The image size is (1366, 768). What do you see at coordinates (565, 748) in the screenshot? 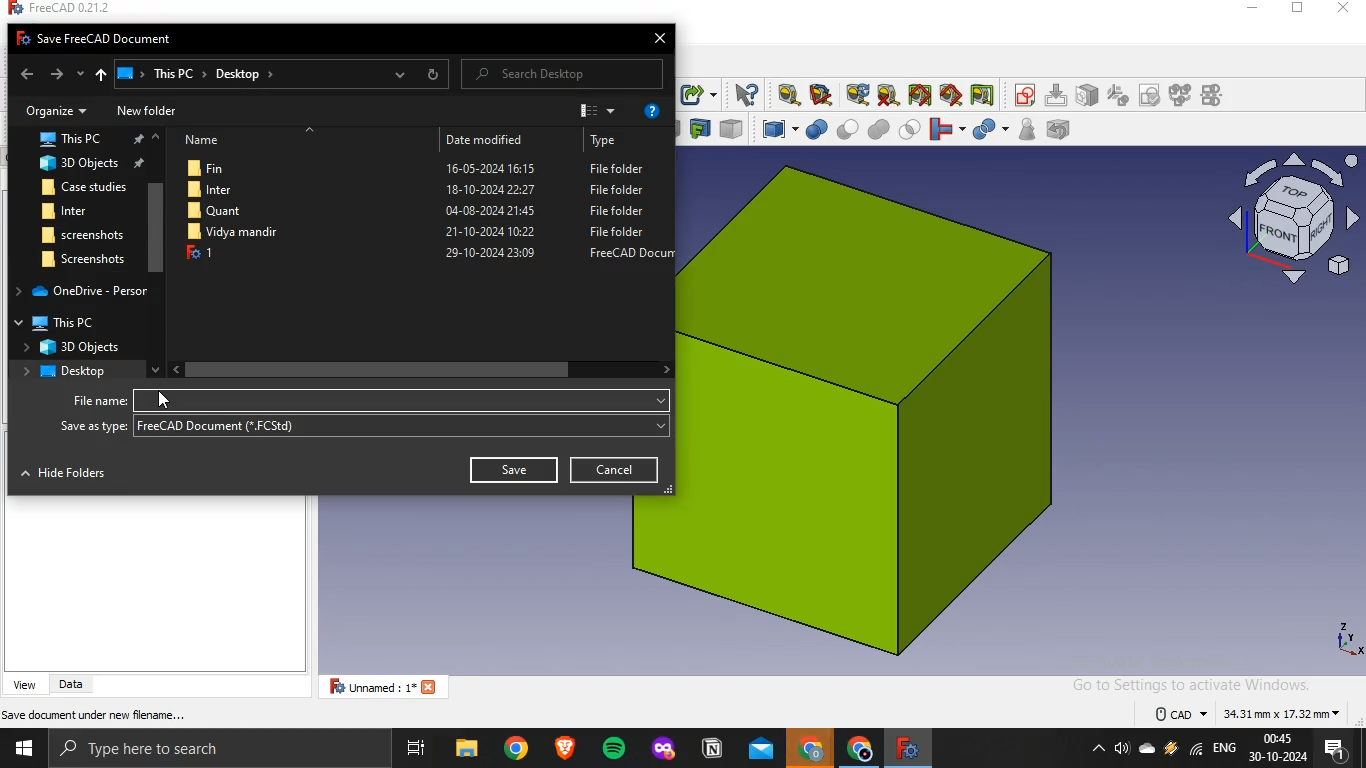
I see `brave` at bounding box center [565, 748].